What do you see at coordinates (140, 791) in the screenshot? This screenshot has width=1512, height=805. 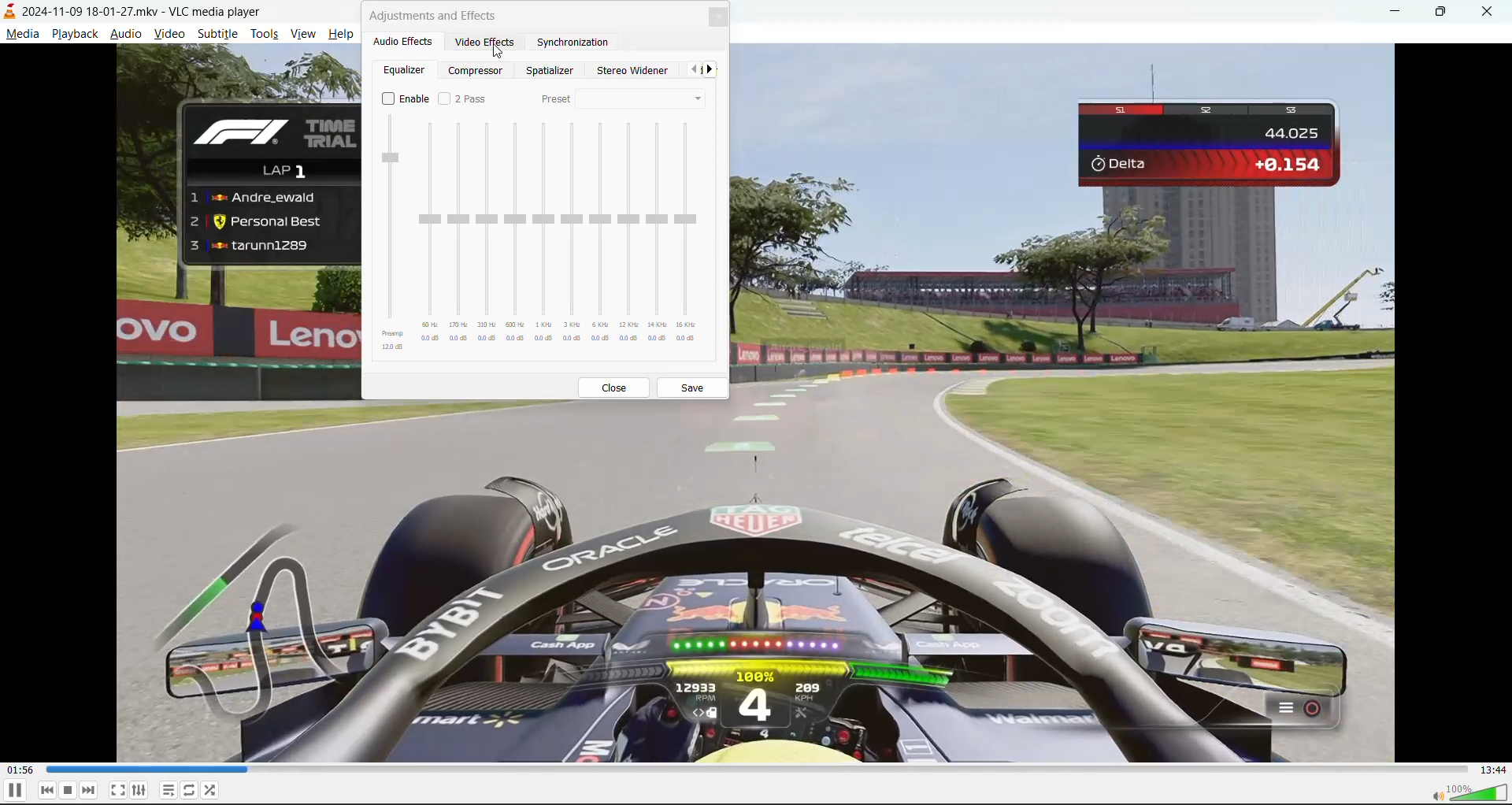 I see `settings` at bounding box center [140, 791].